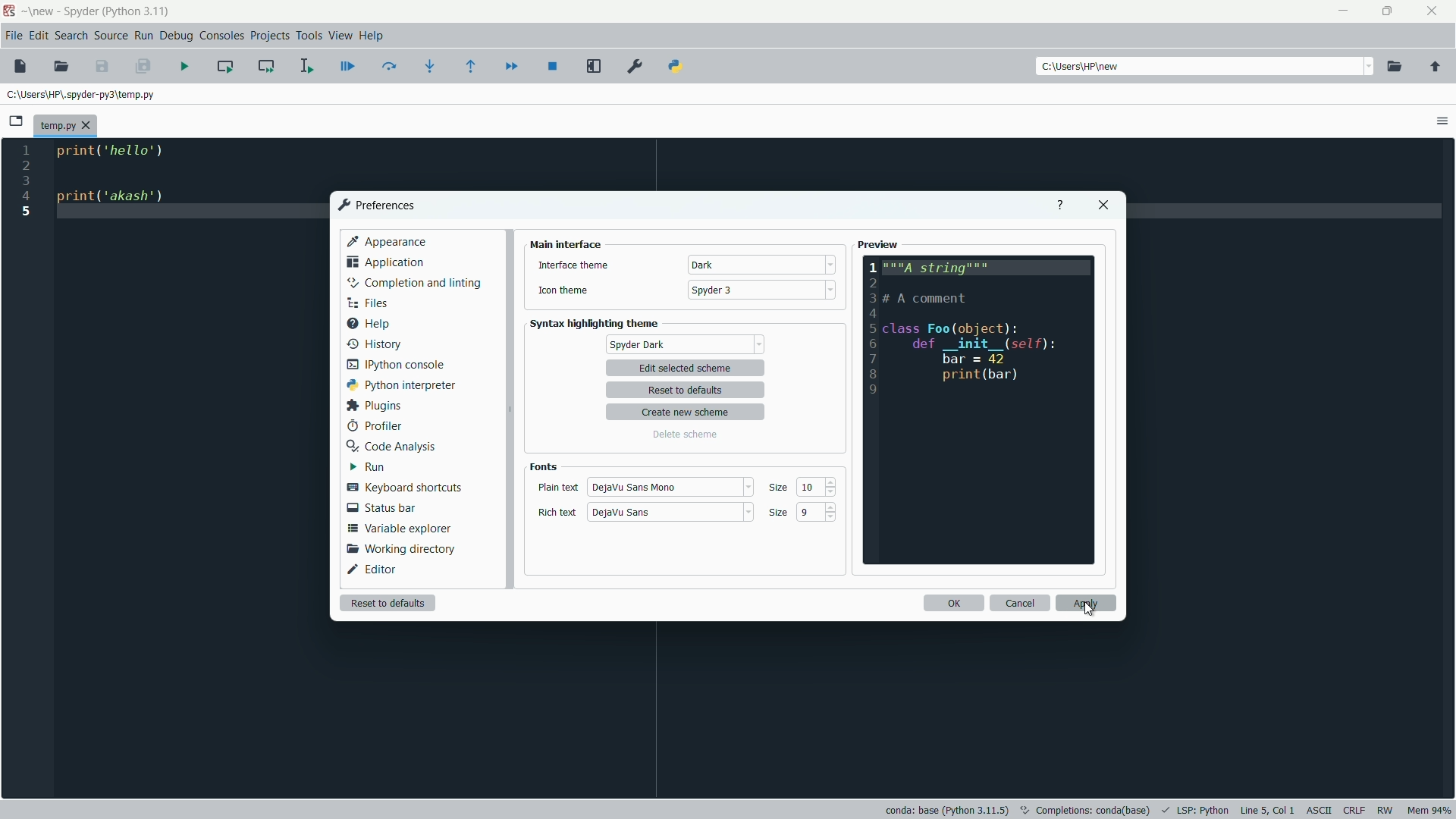 Image resolution: width=1456 pixels, height=819 pixels. What do you see at coordinates (186, 66) in the screenshot?
I see `run file` at bounding box center [186, 66].